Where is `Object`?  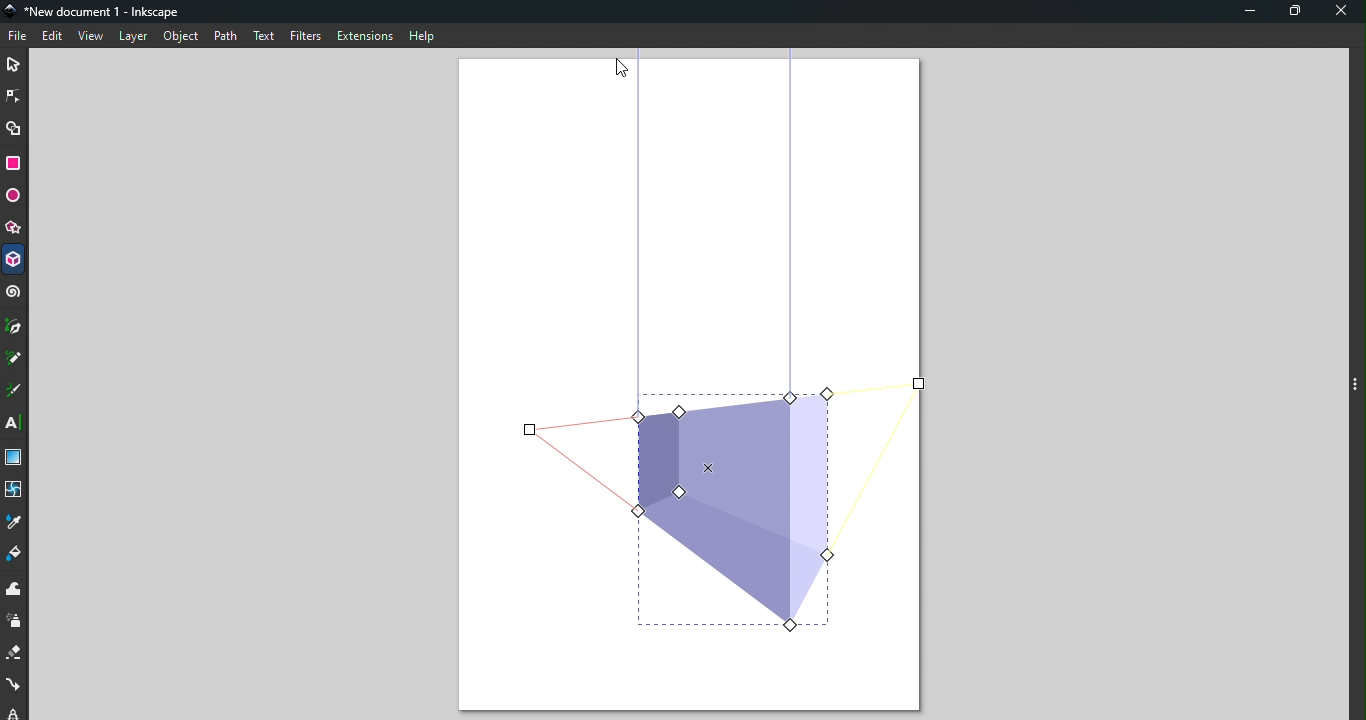
Object is located at coordinates (178, 39).